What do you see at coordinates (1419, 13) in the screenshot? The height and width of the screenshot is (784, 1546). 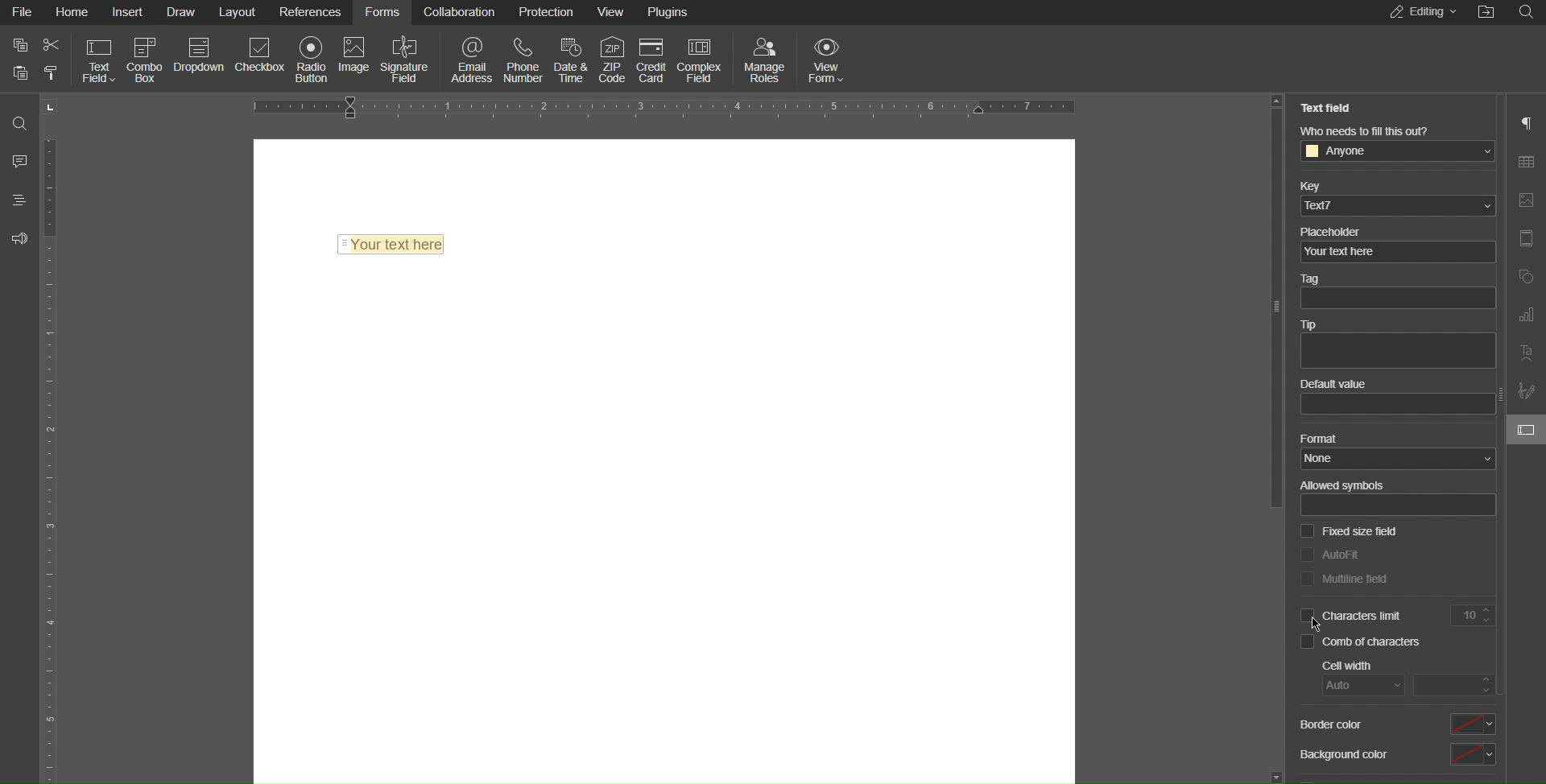 I see `Editing` at bounding box center [1419, 13].